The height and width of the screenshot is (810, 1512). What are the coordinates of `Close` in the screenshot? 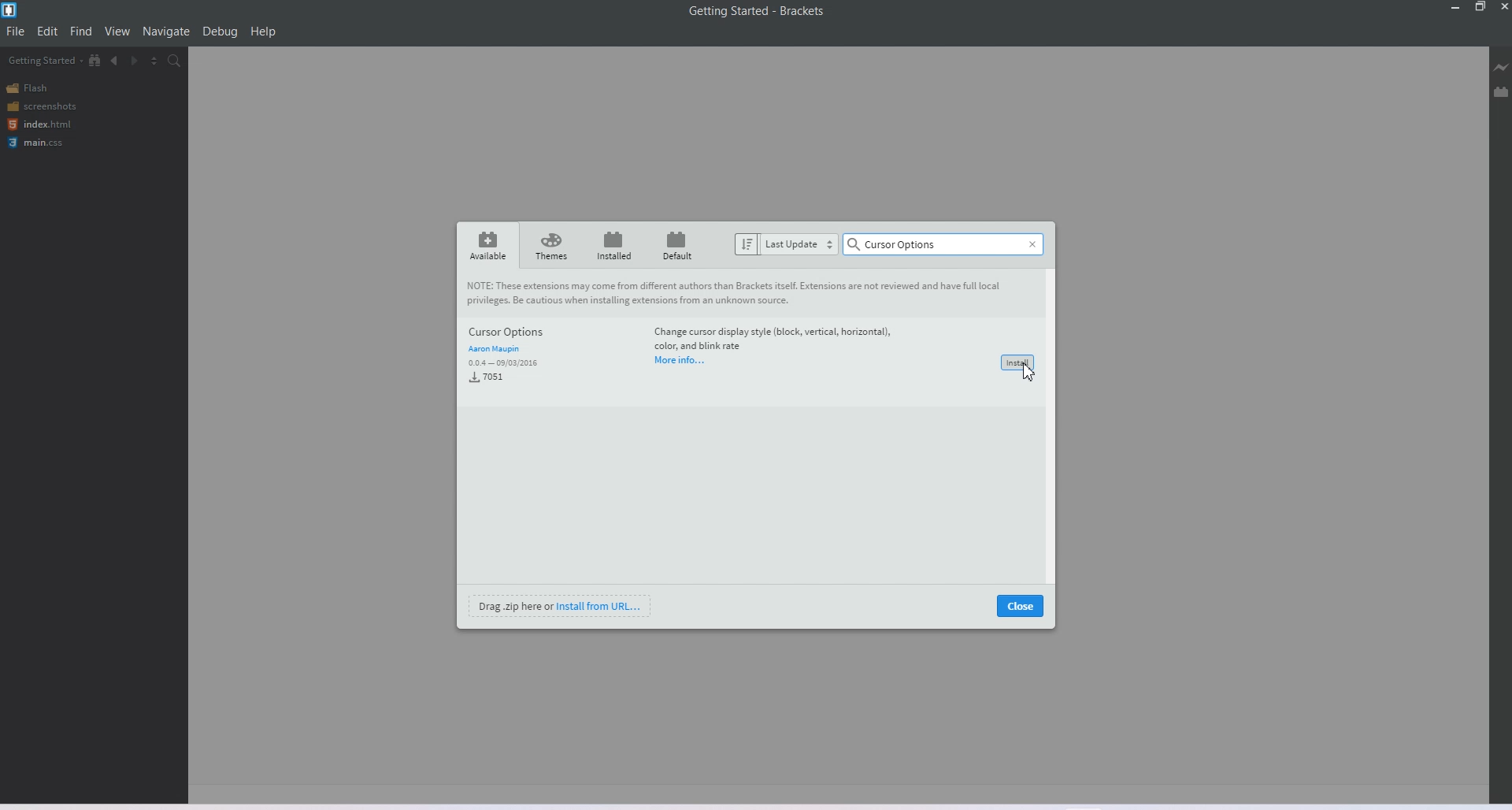 It's located at (1503, 7).